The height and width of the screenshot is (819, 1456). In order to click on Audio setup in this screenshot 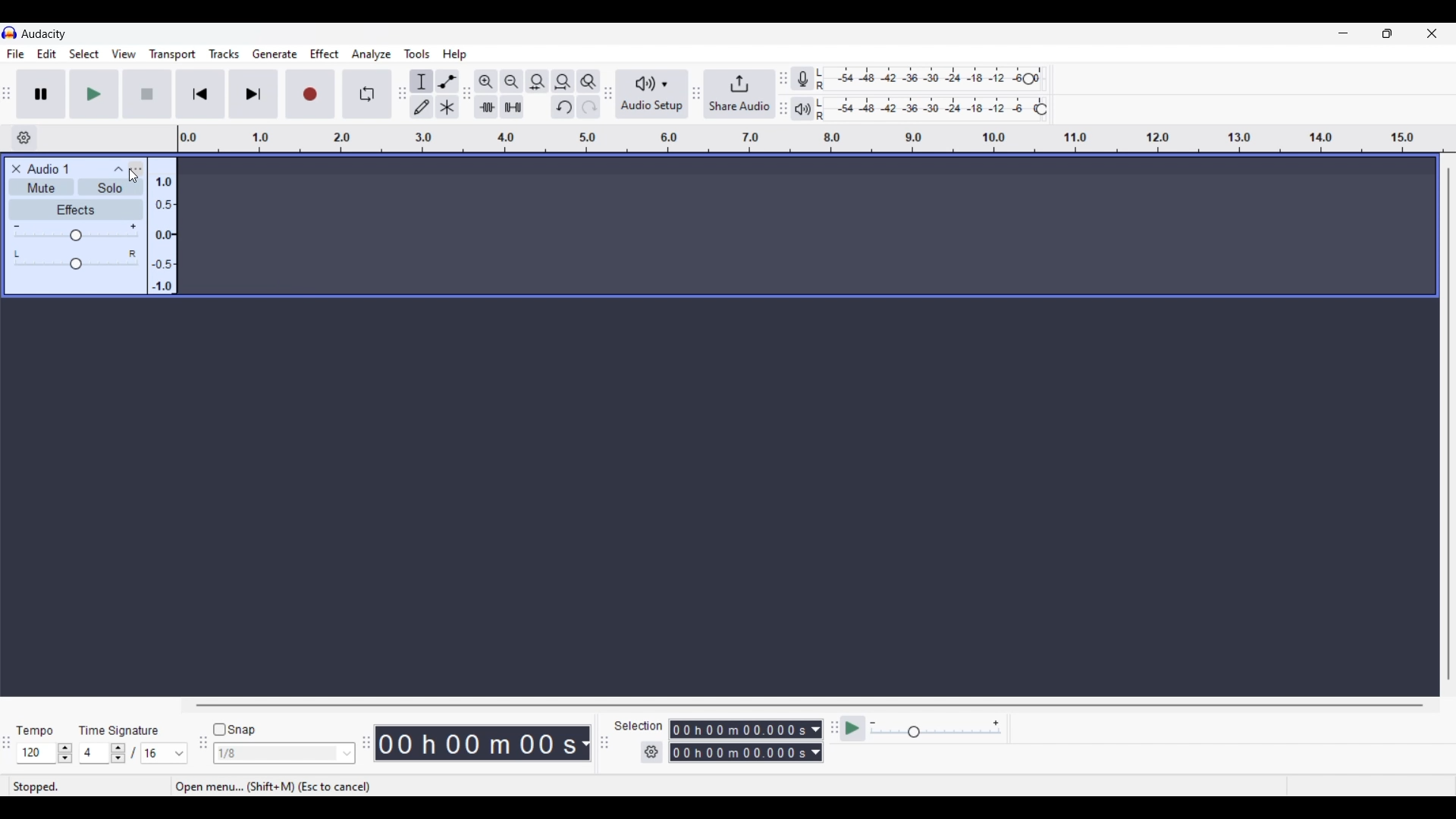, I will do `click(652, 94)`.